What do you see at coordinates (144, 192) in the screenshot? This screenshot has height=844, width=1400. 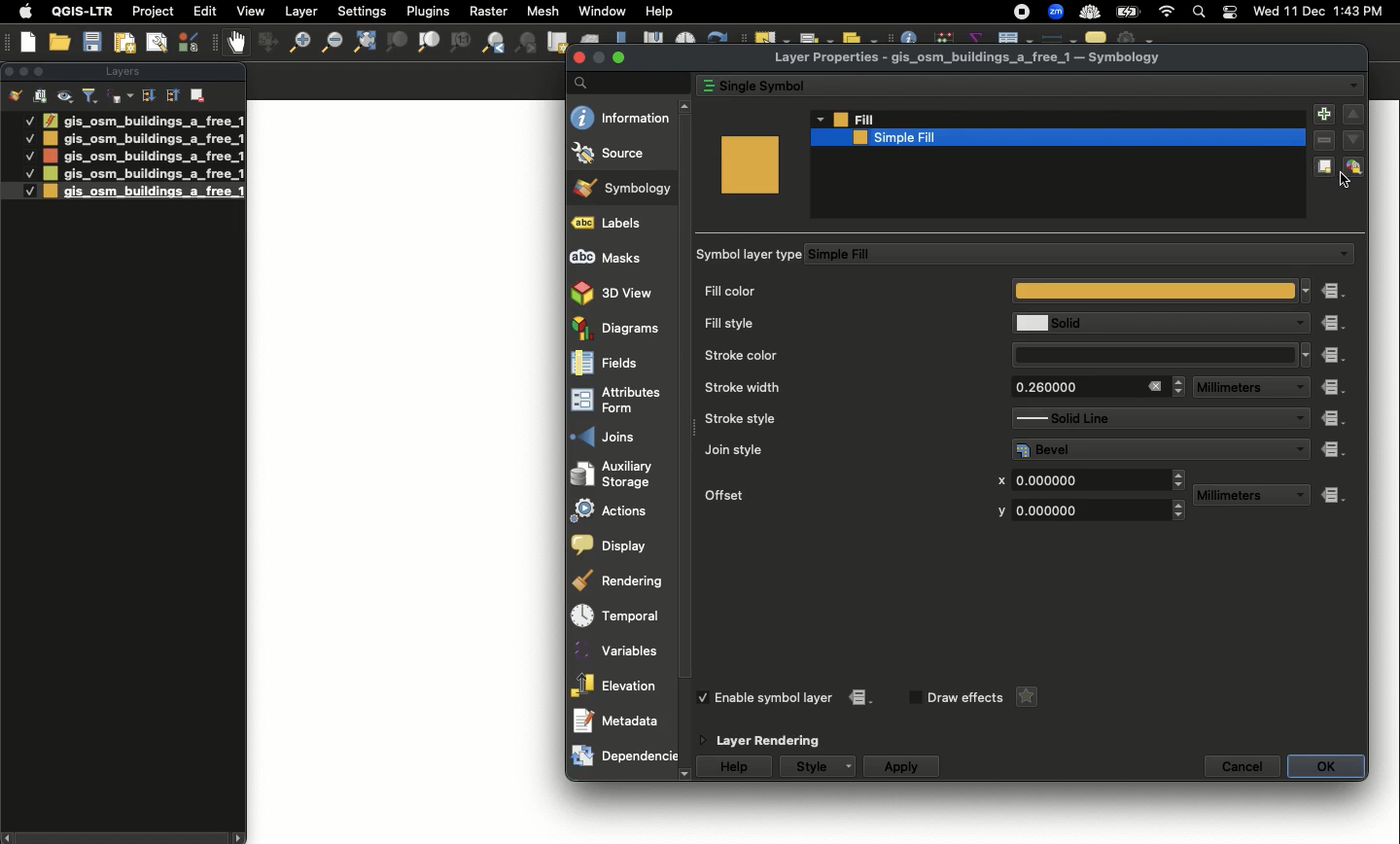 I see `gis_osm_buildings_a_free_1` at bounding box center [144, 192].